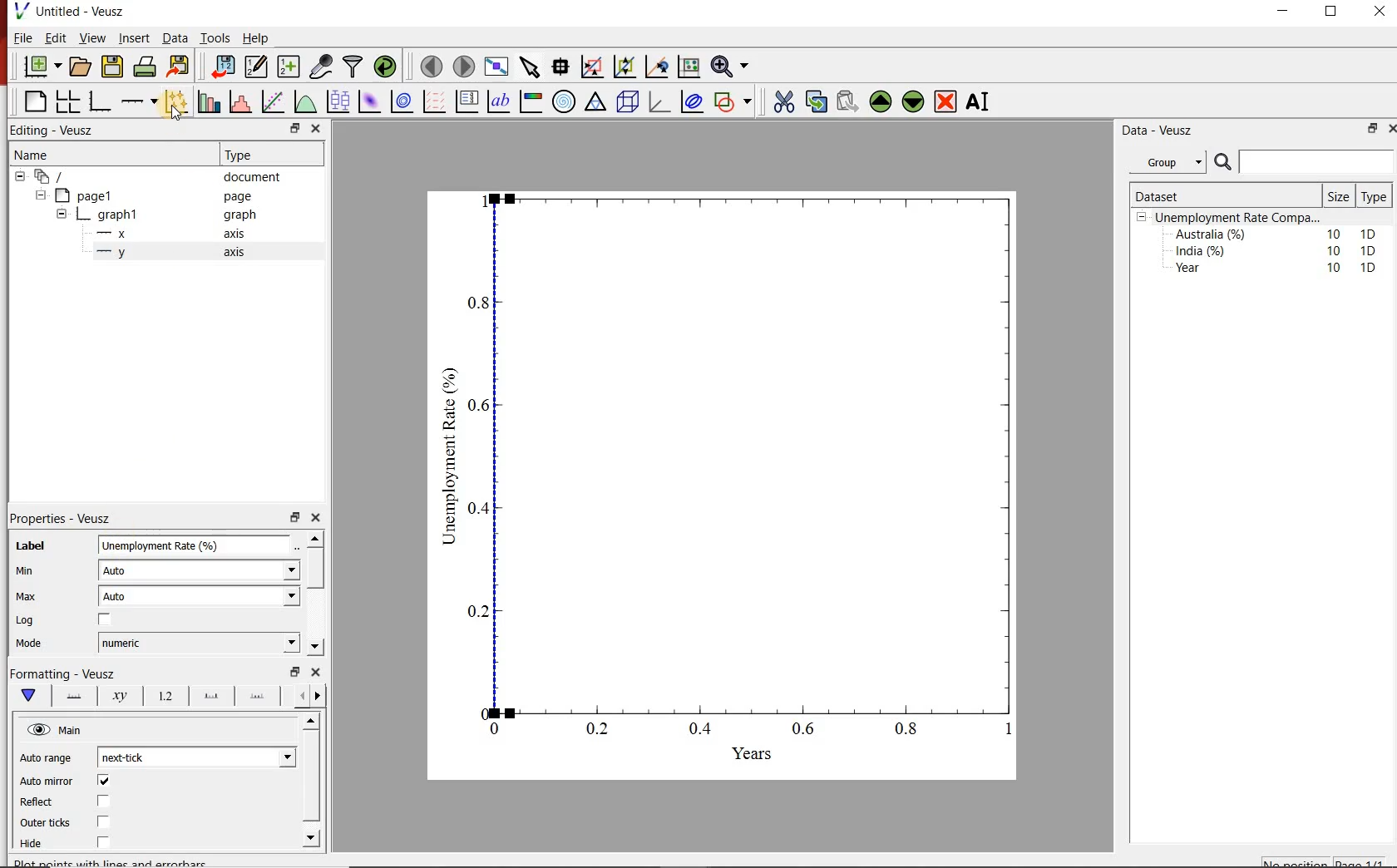 The image size is (1397, 868). What do you see at coordinates (1392, 127) in the screenshot?
I see `close` at bounding box center [1392, 127].